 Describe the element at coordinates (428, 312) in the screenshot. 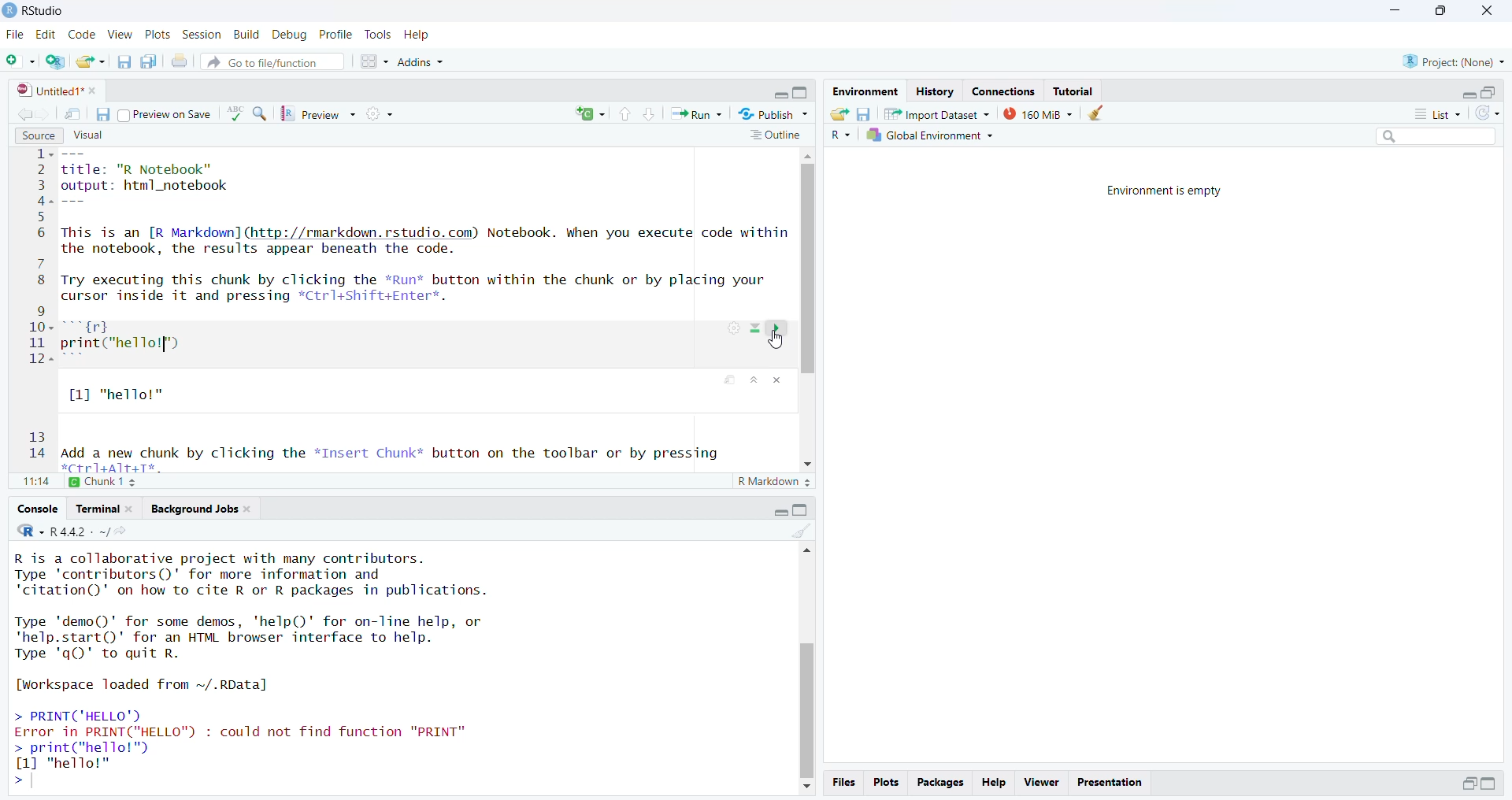

I see `source` at that location.